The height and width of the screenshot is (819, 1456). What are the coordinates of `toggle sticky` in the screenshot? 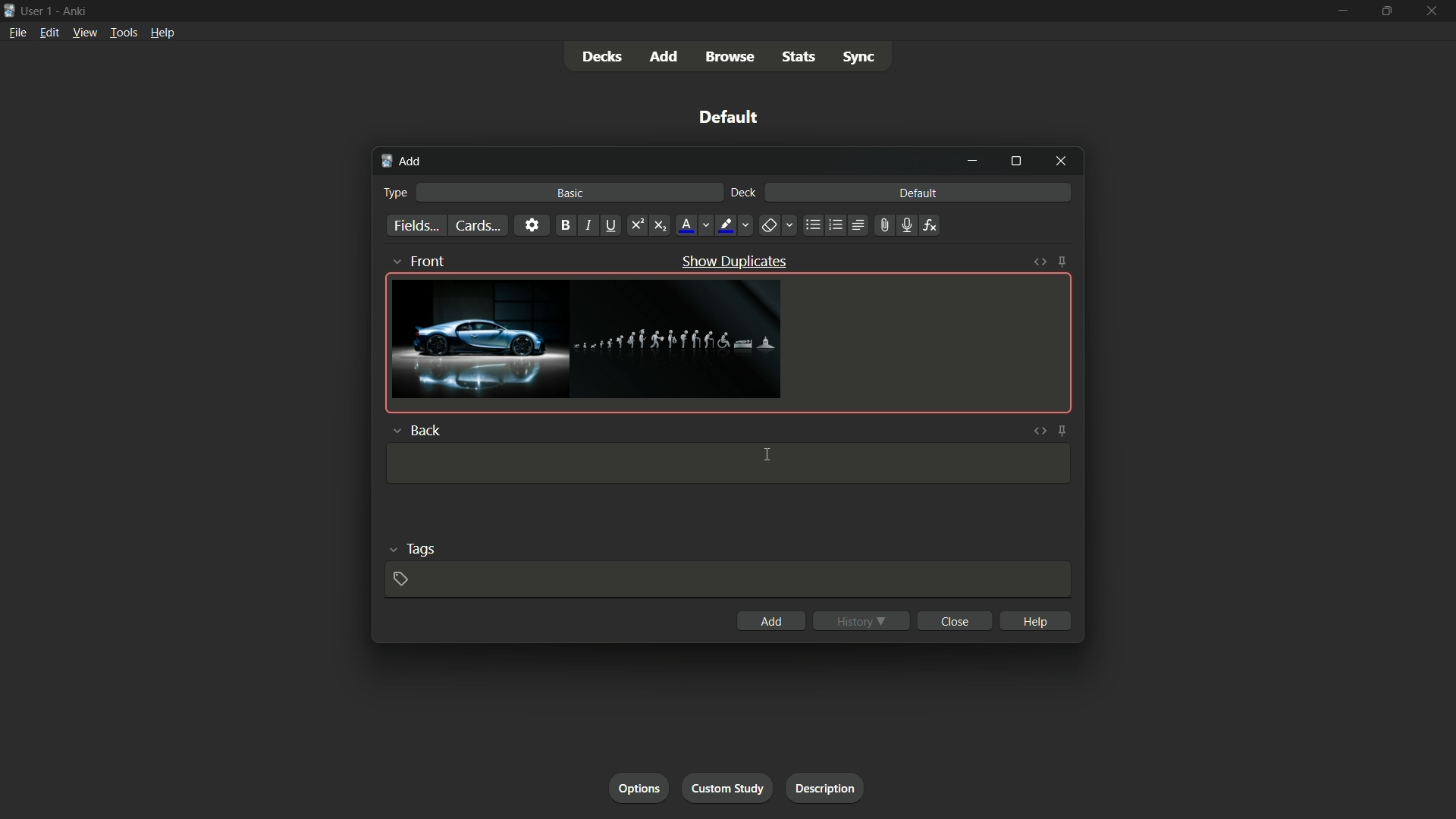 It's located at (1064, 261).